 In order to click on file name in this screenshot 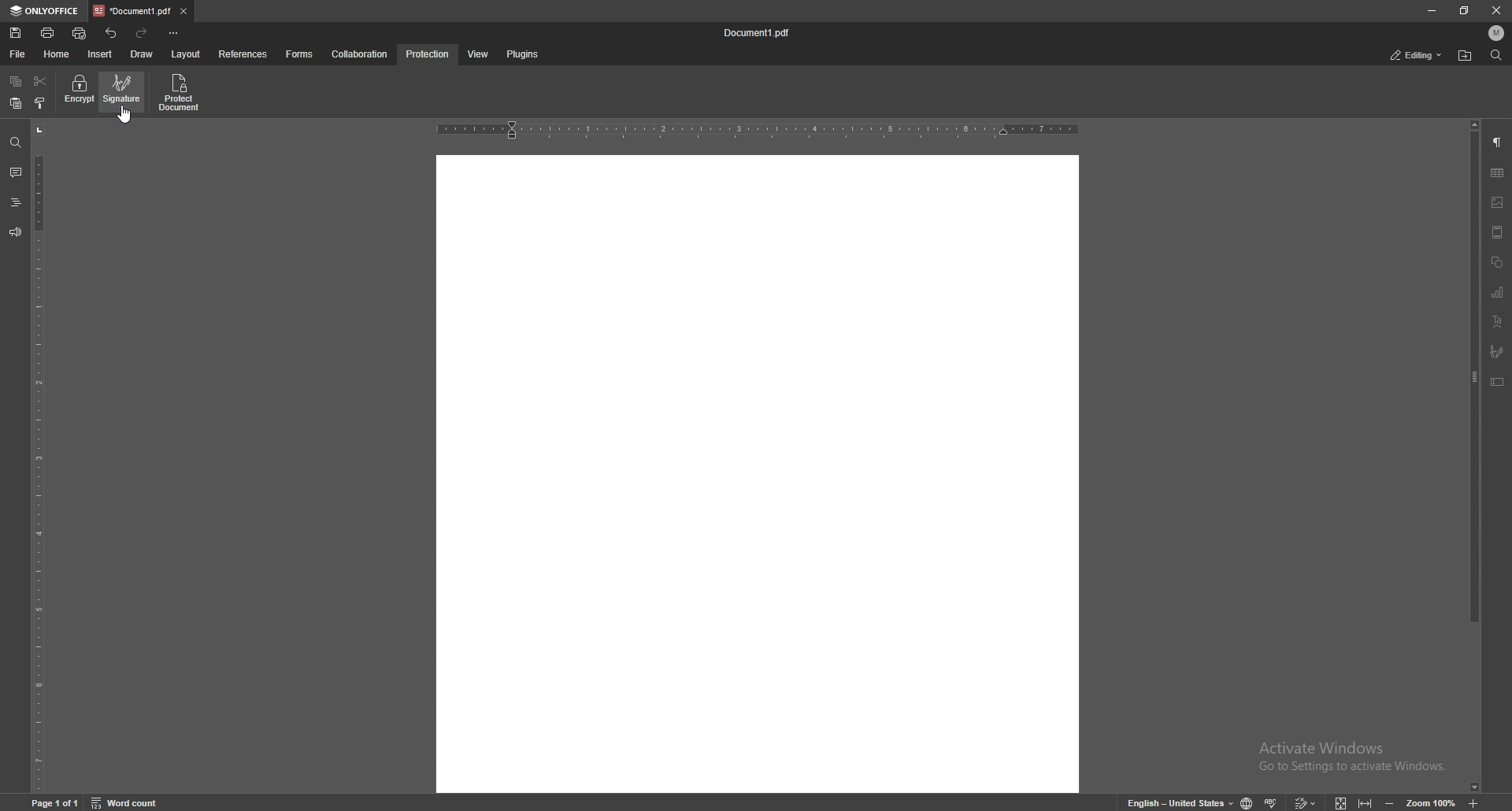, I will do `click(758, 33)`.